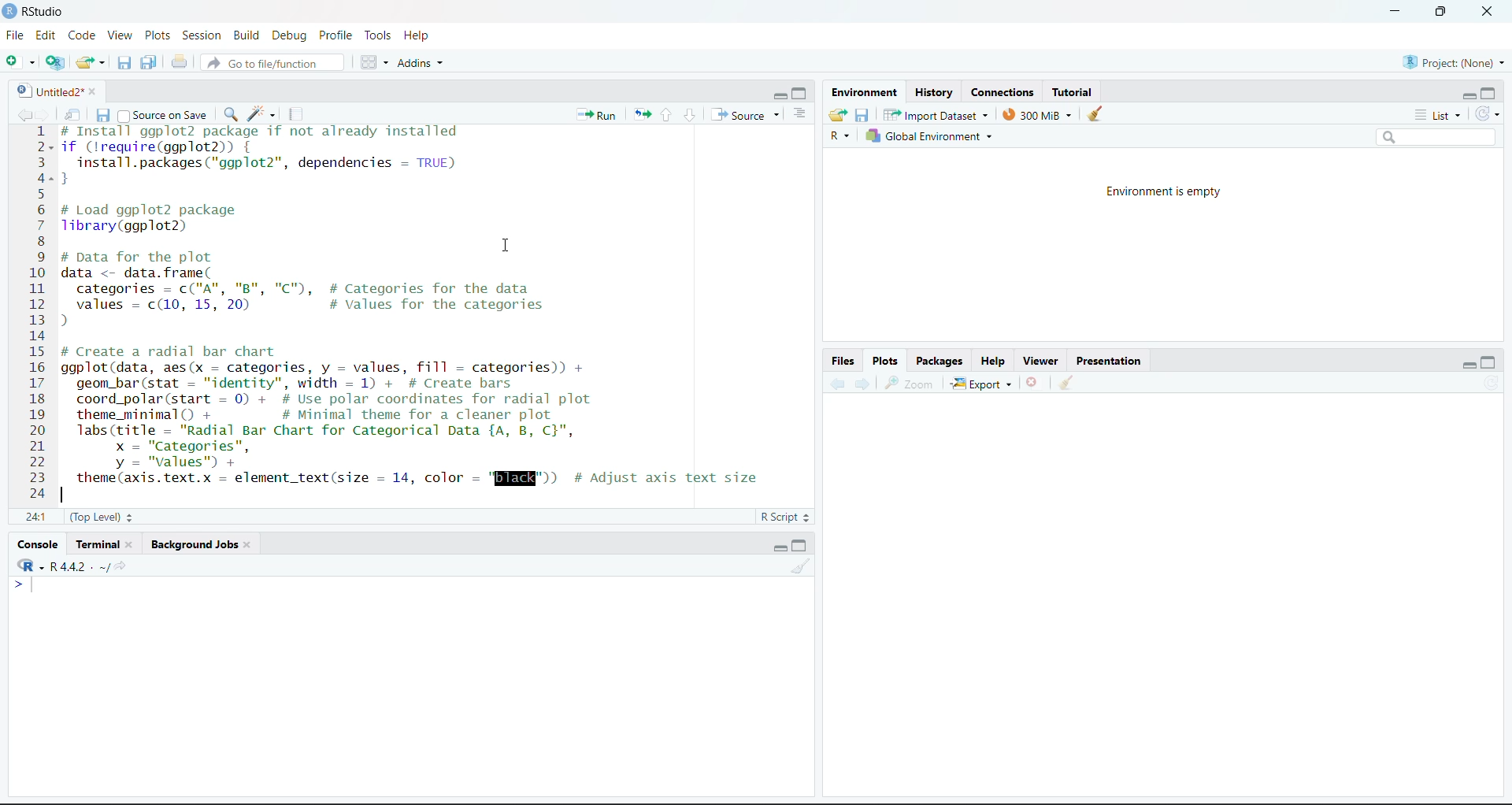 The image size is (1512, 805). What do you see at coordinates (864, 386) in the screenshot?
I see `go forward` at bounding box center [864, 386].